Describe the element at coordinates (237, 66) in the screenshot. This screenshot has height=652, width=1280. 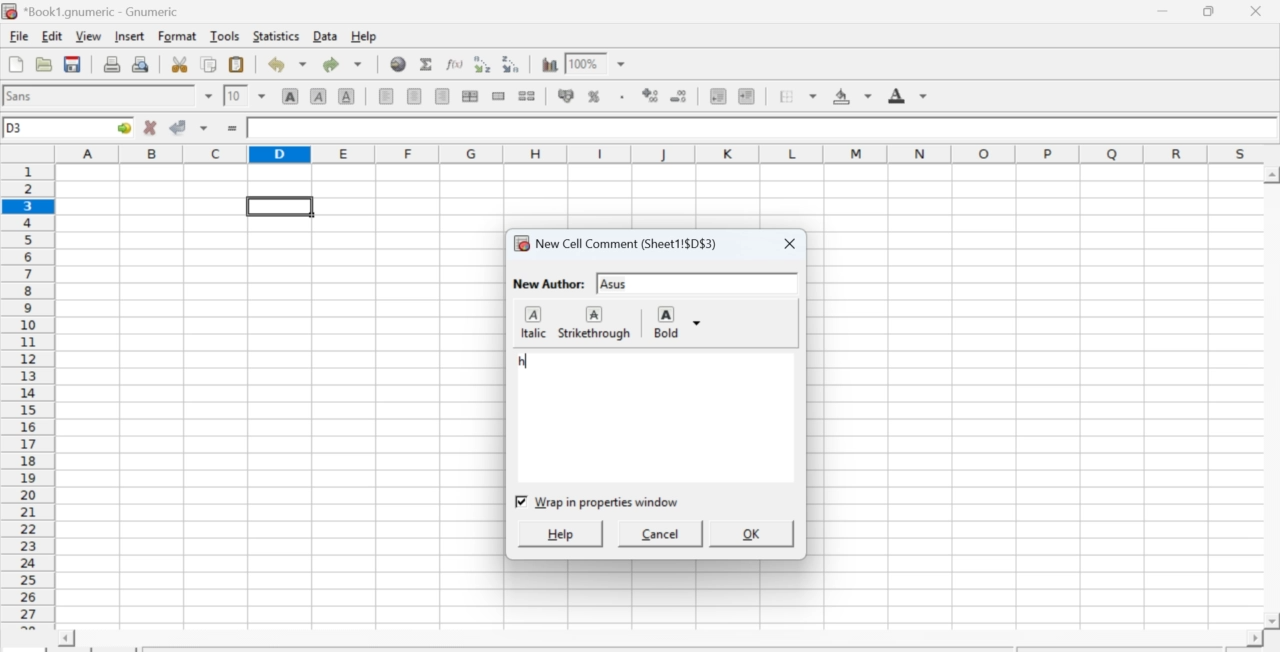
I see `Paste` at that location.